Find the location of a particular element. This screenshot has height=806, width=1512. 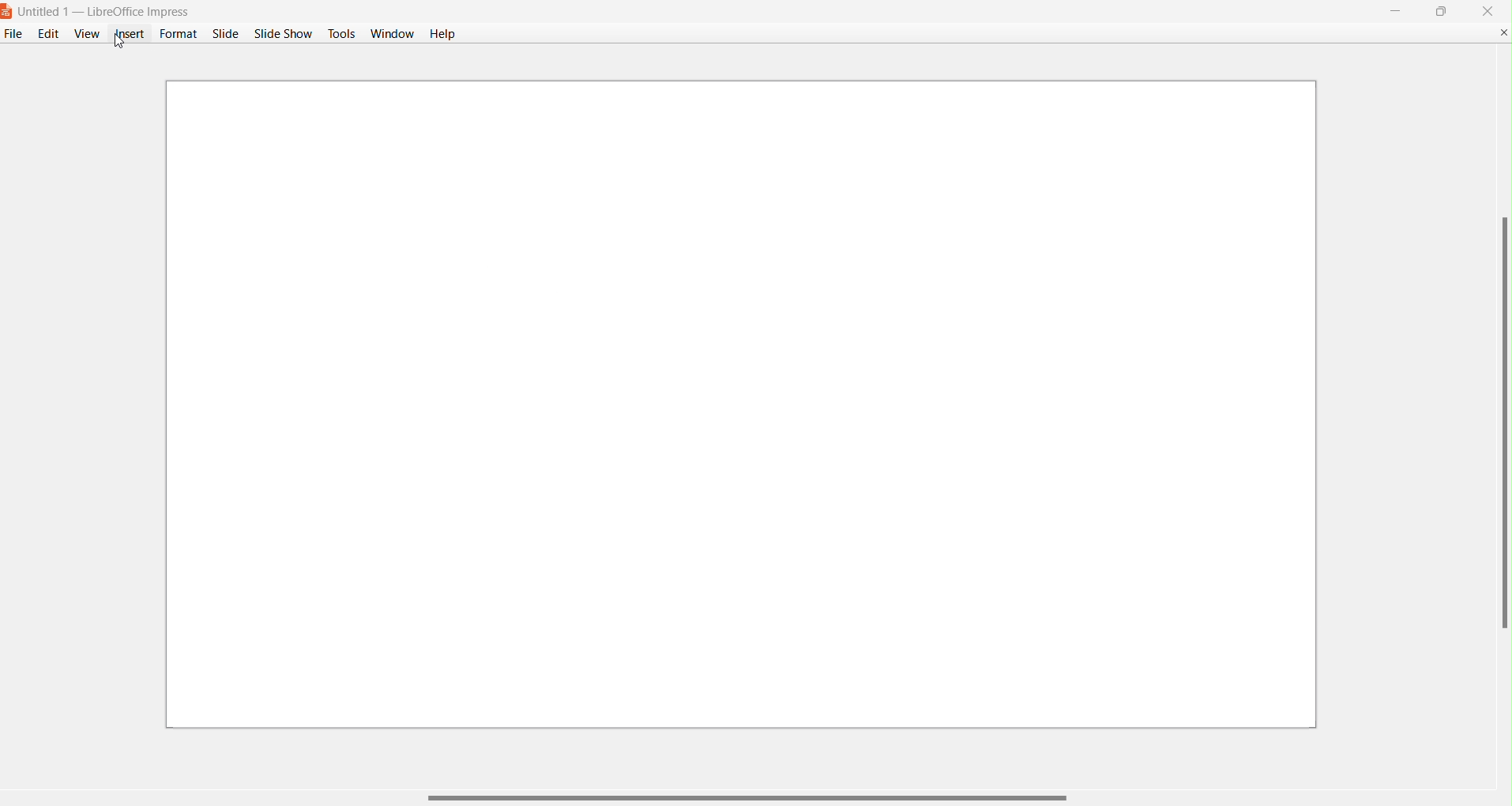

Tools is located at coordinates (342, 32).